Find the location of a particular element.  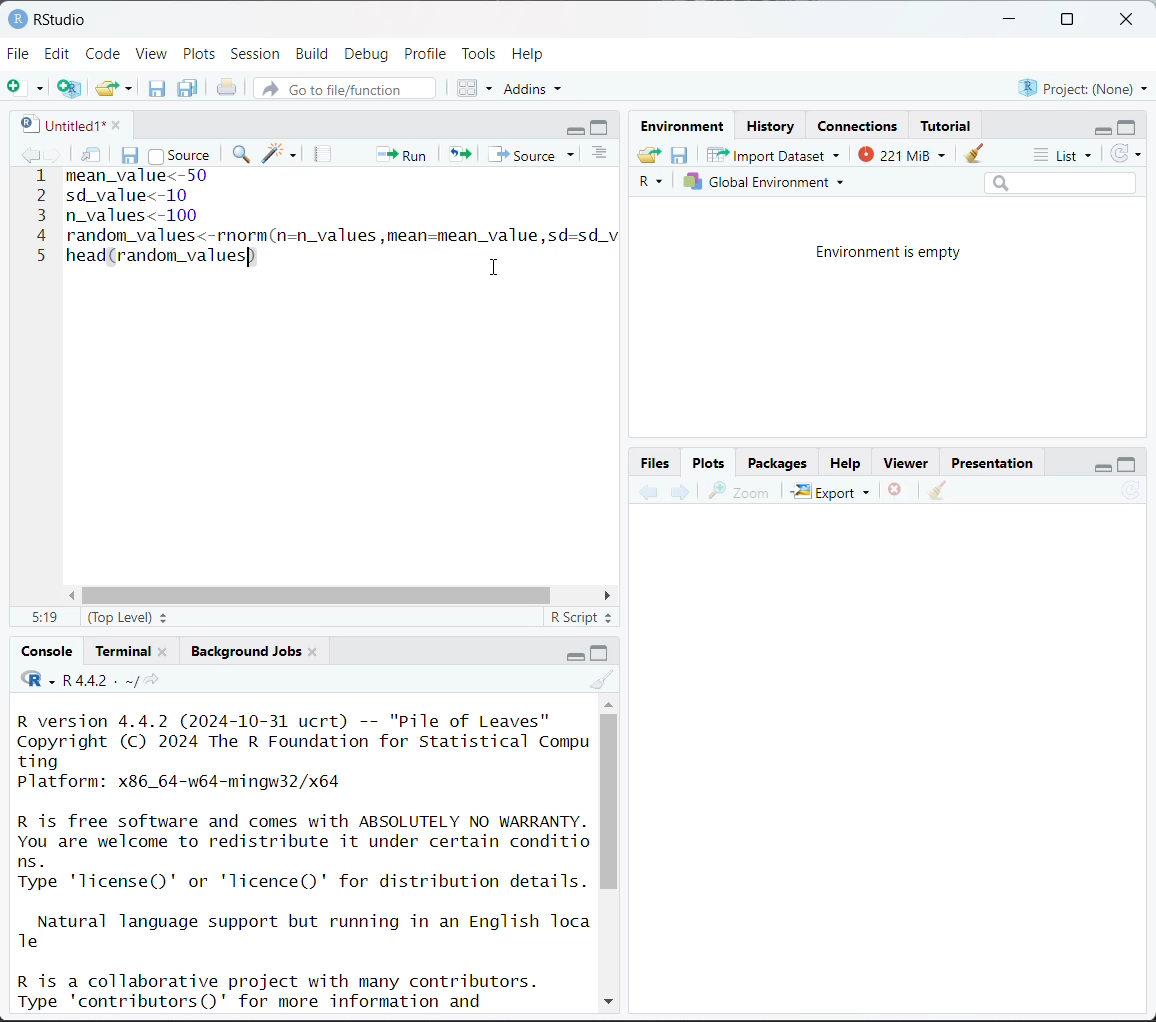

clear all plots is located at coordinates (938, 491).